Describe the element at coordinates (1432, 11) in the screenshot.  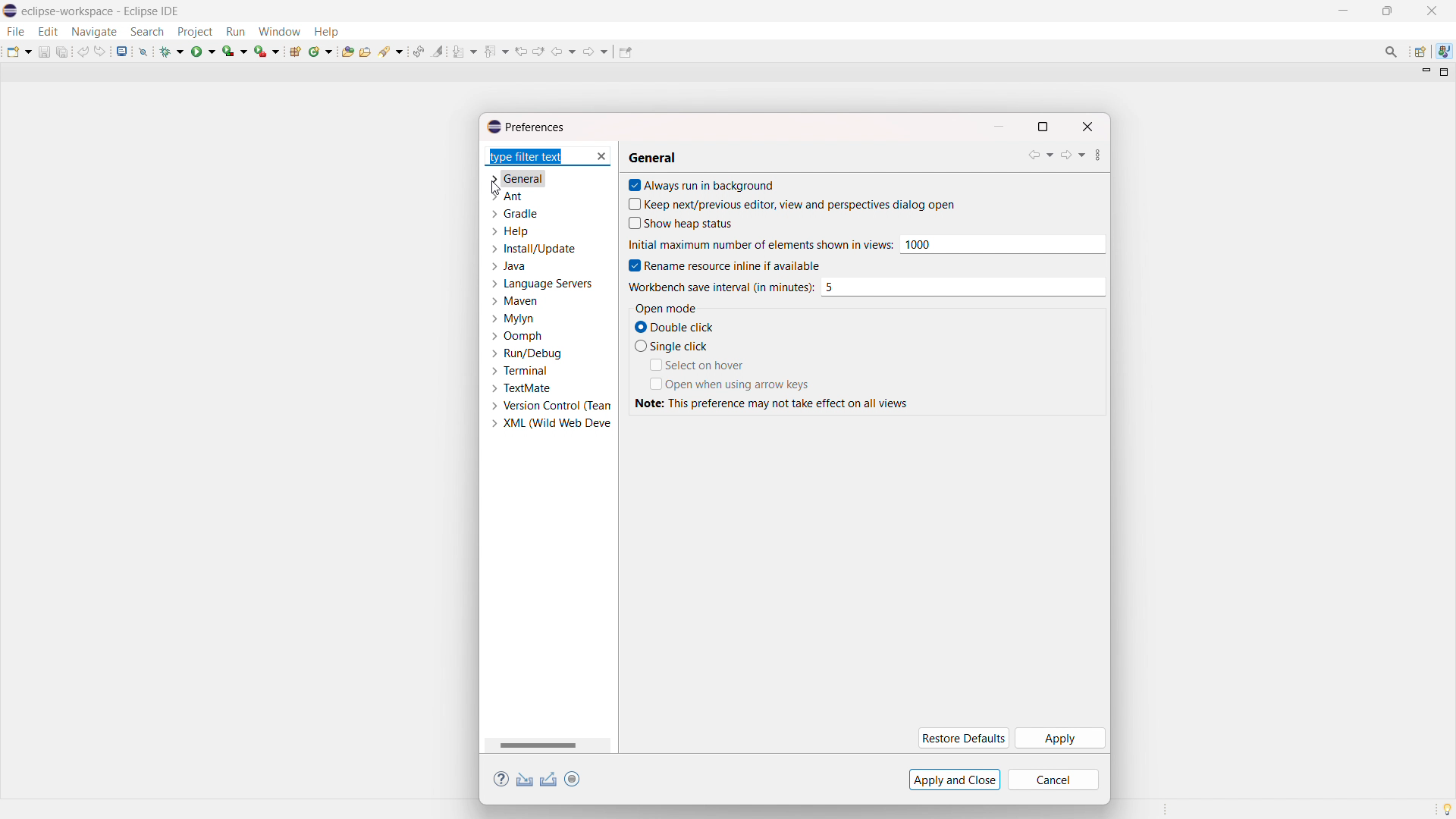
I see `close` at that location.